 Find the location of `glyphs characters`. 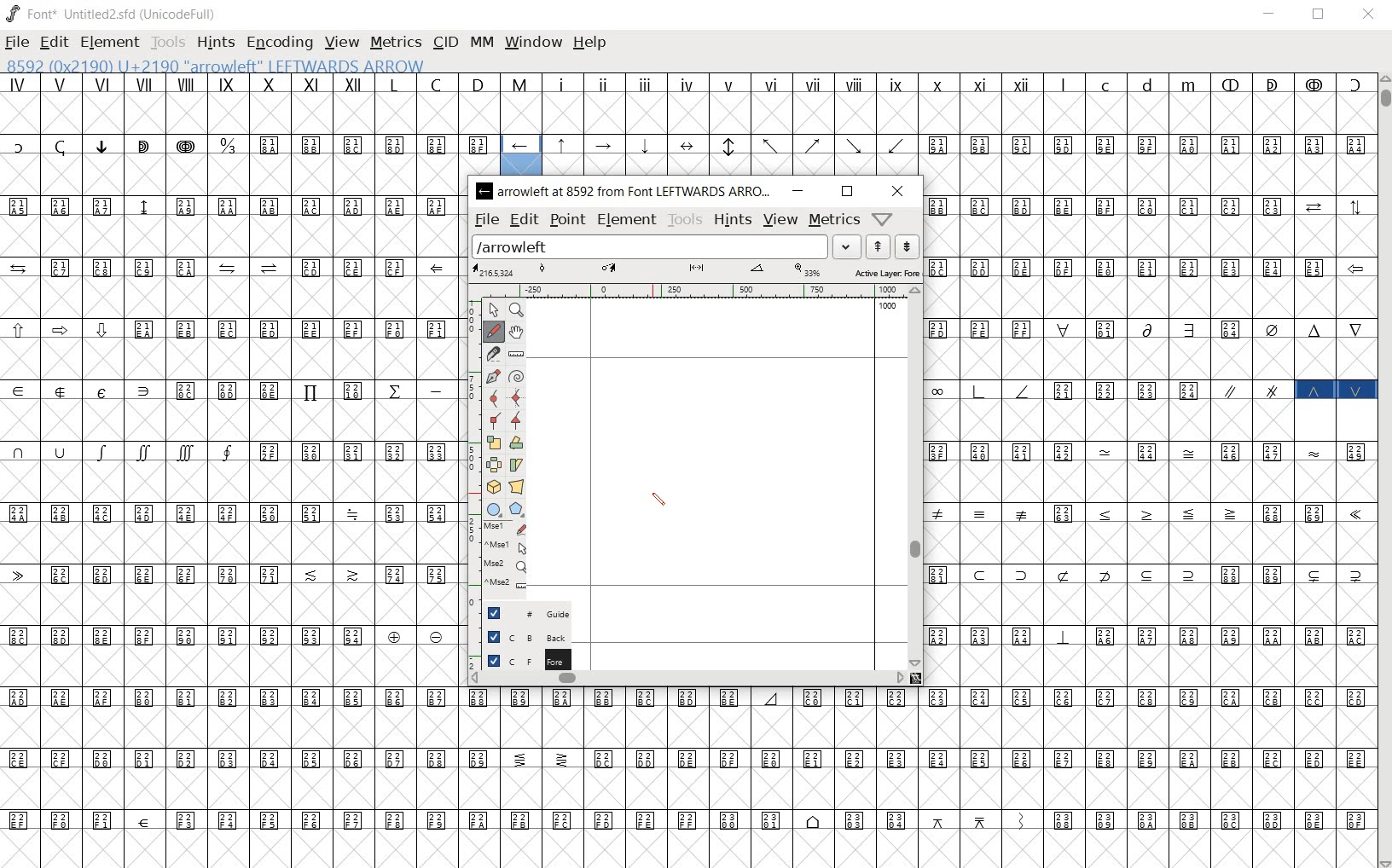

glyphs characters is located at coordinates (1149, 466).